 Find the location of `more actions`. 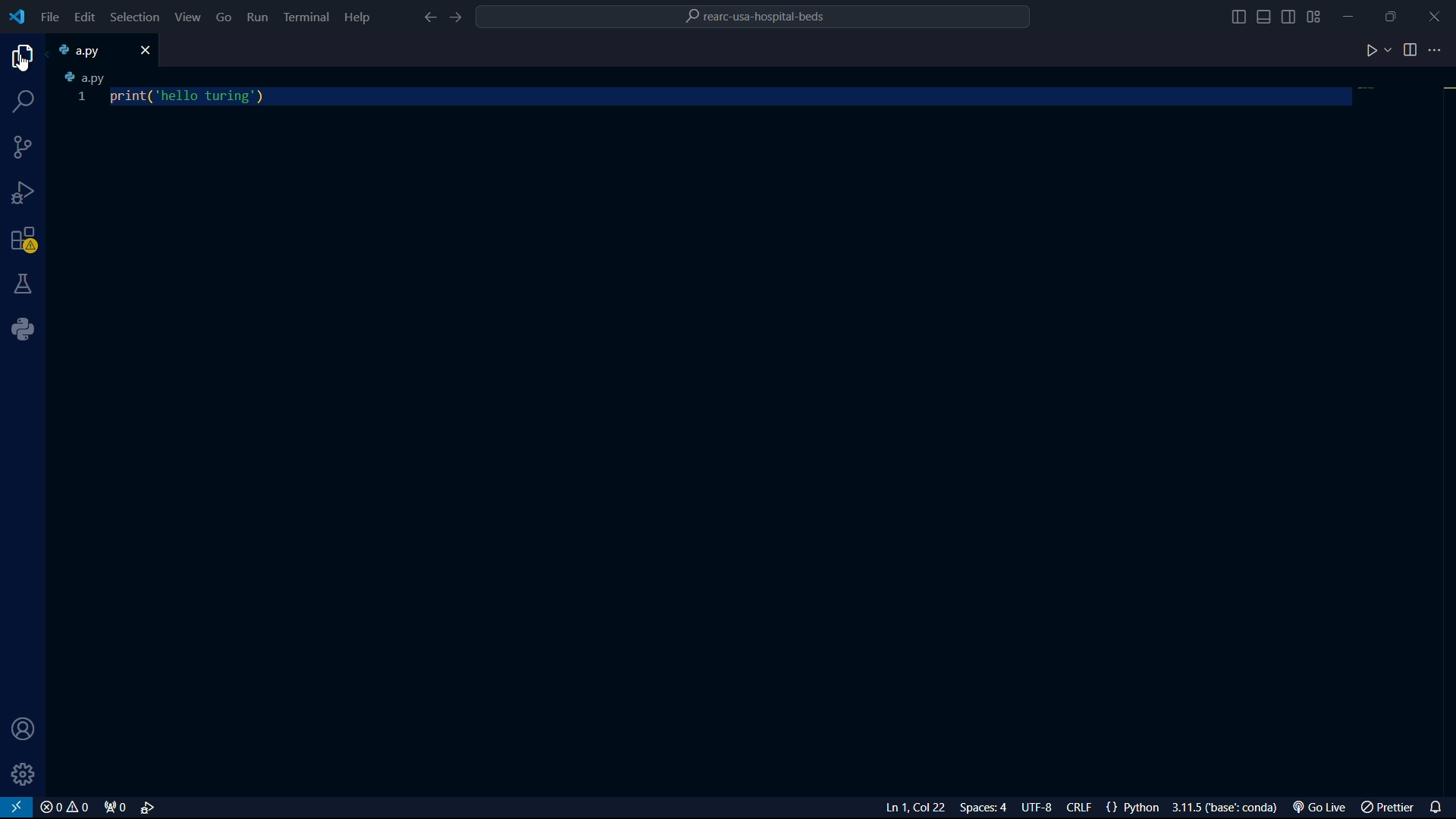

more actions is located at coordinates (1439, 51).